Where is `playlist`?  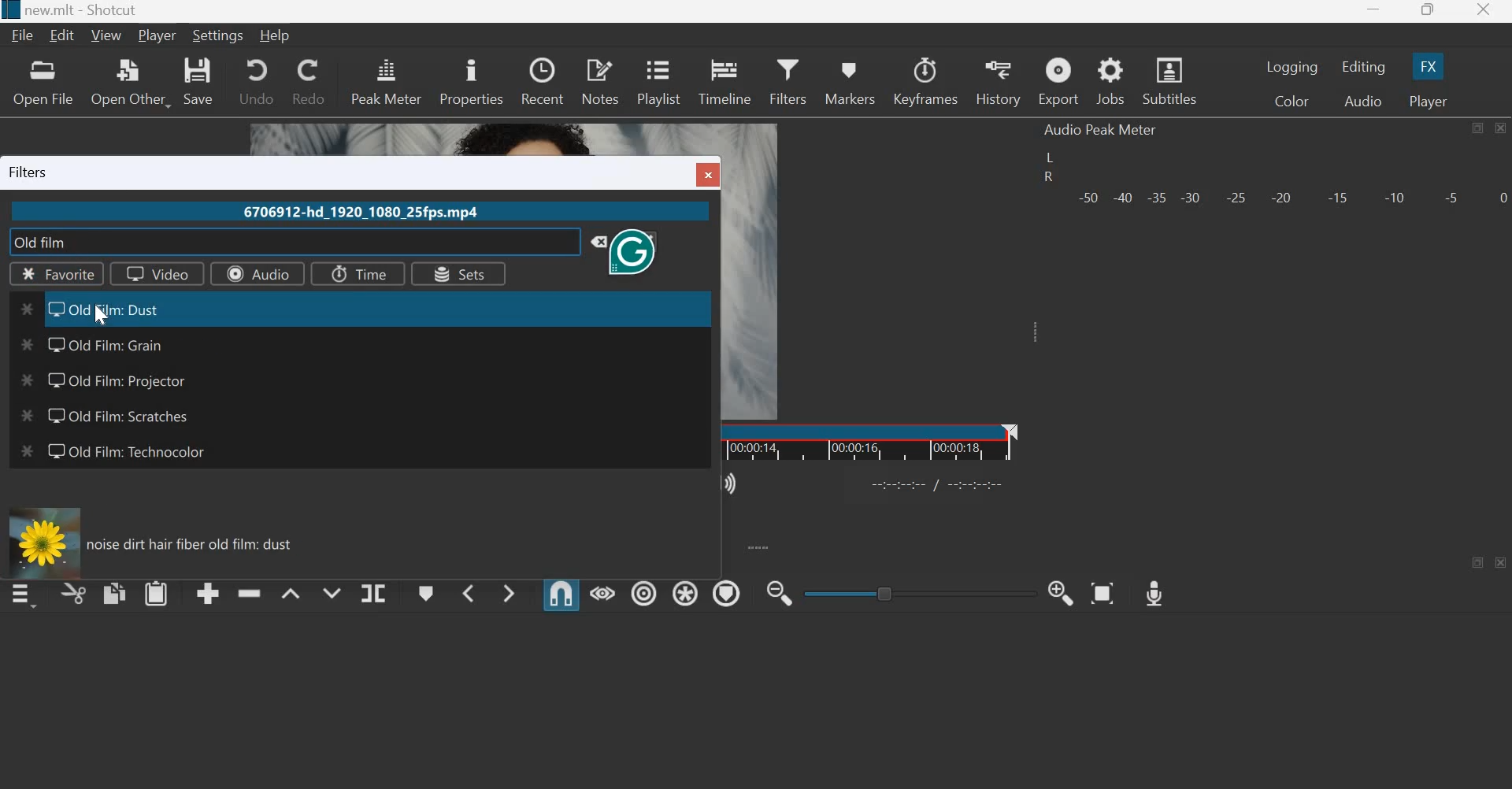 playlist is located at coordinates (658, 80).